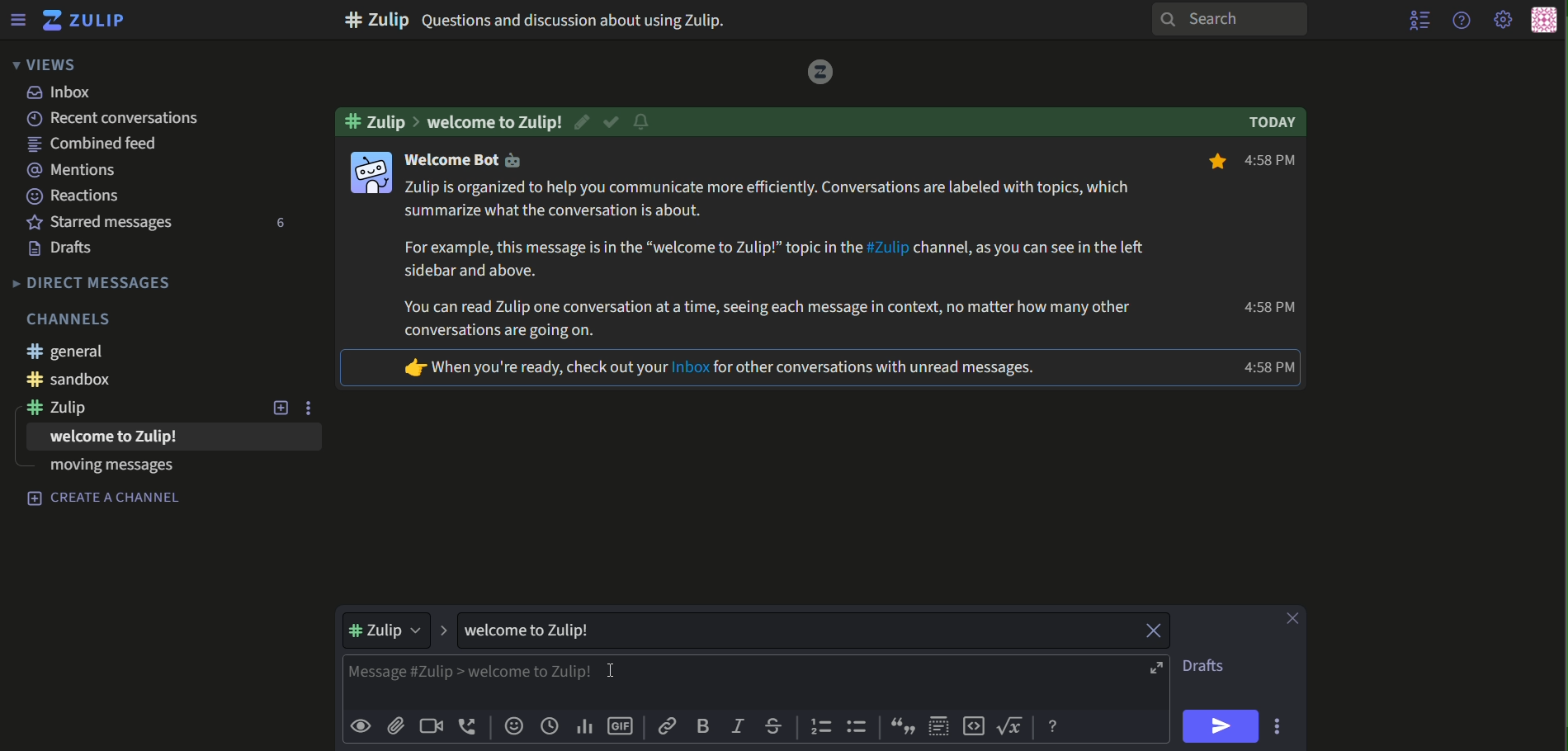 This screenshot has height=751, width=1568. I want to click on close, so click(1145, 630).